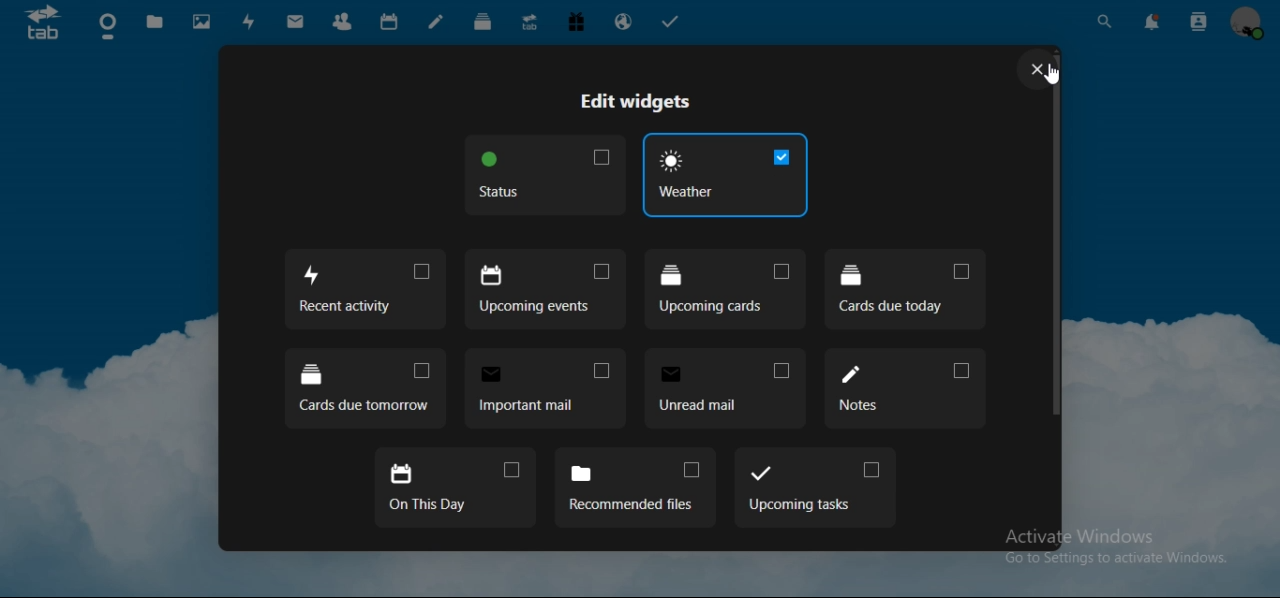 This screenshot has height=598, width=1280. I want to click on important mail, so click(545, 385).